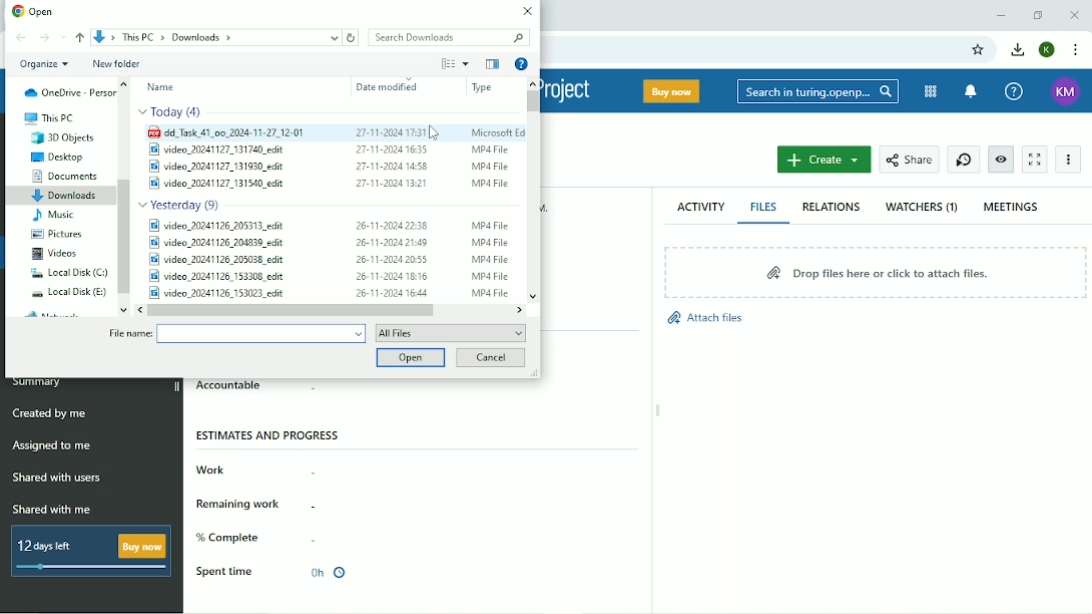 The image size is (1092, 614). I want to click on Modules, so click(931, 92).